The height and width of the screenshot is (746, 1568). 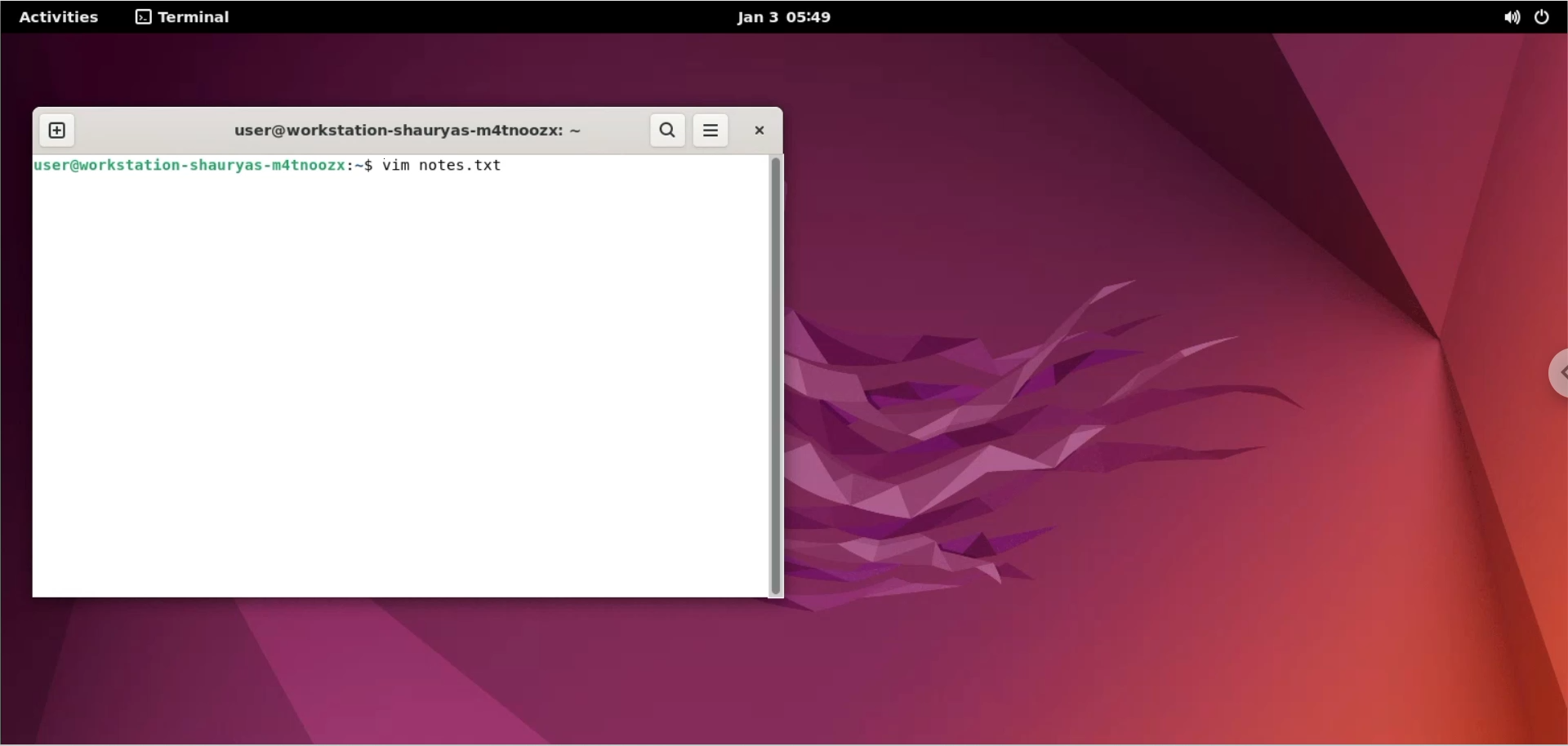 What do you see at coordinates (777, 375) in the screenshot?
I see `scrollbar` at bounding box center [777, 375].